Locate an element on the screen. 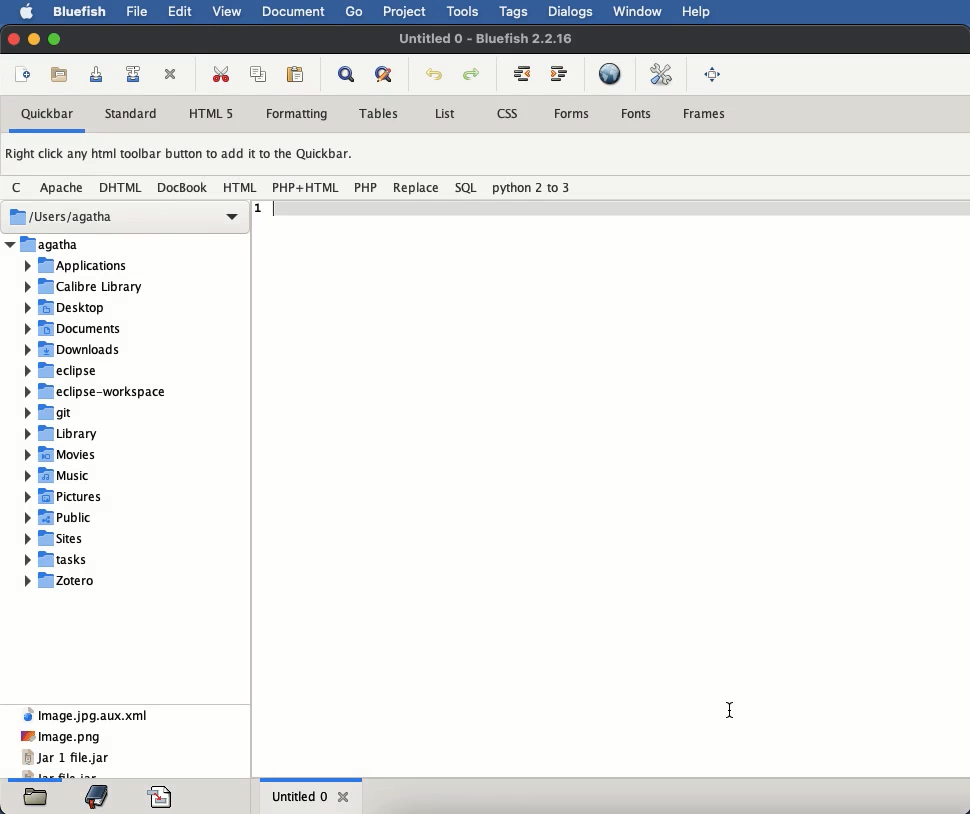 This screenshot has height=814, width=970. close is located at coordinates (345, 797).